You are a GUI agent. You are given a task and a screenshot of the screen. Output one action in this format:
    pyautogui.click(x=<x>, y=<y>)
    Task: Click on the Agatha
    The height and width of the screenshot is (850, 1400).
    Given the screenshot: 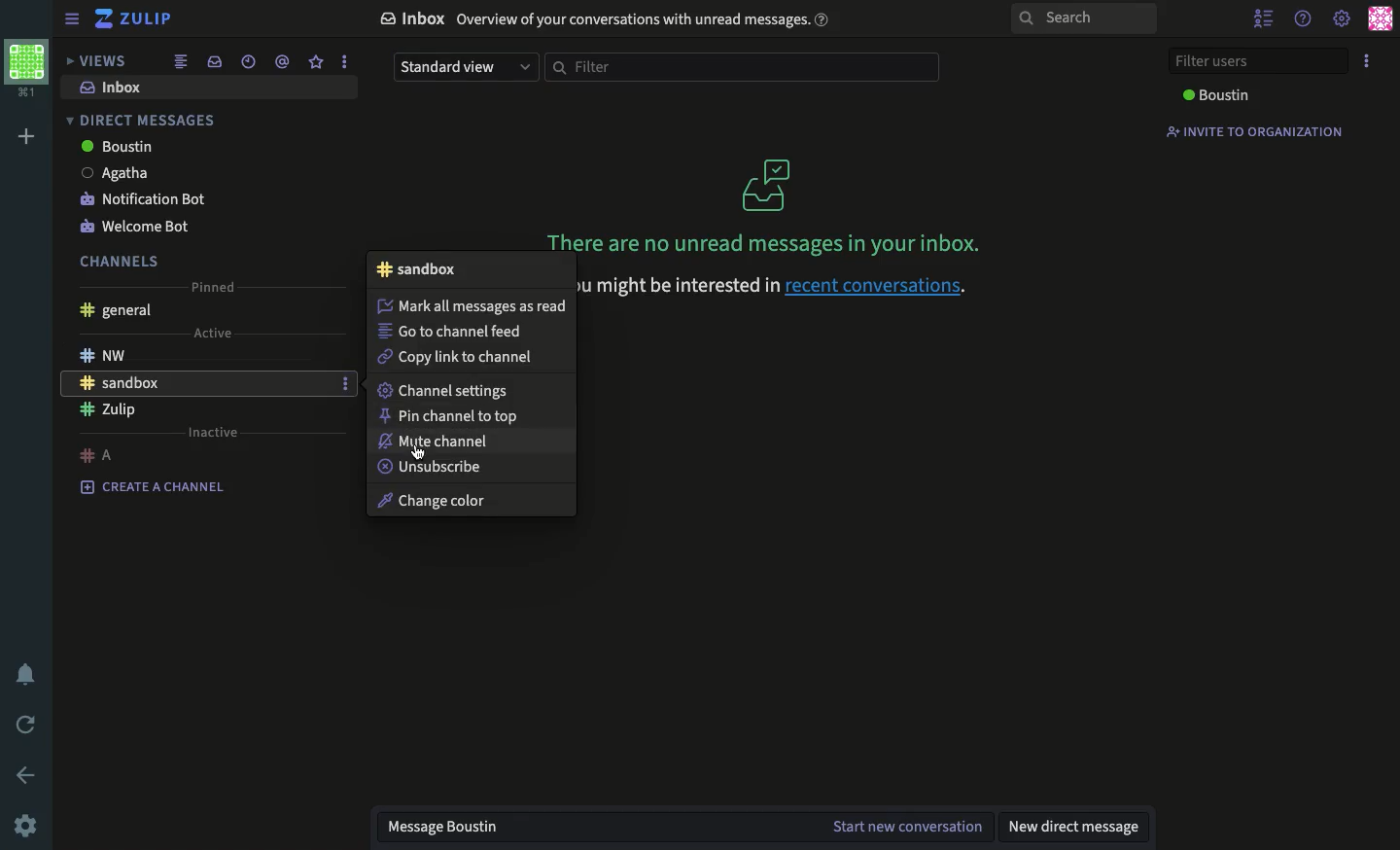 What is the action you would take?
    pyautogui.click(x=118, y=174)
    